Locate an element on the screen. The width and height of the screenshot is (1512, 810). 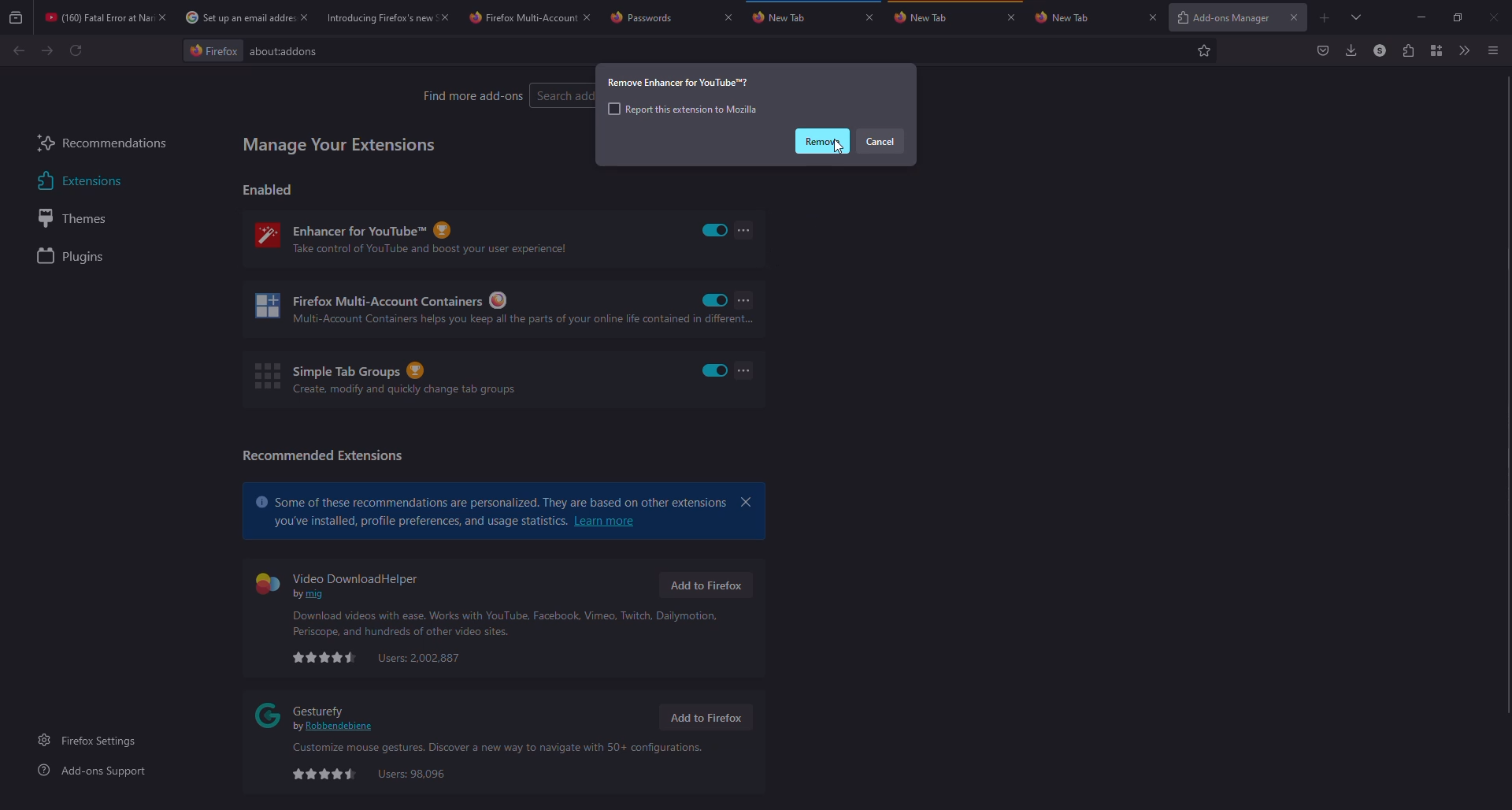
downloads is located at coordinates (1350, 50).